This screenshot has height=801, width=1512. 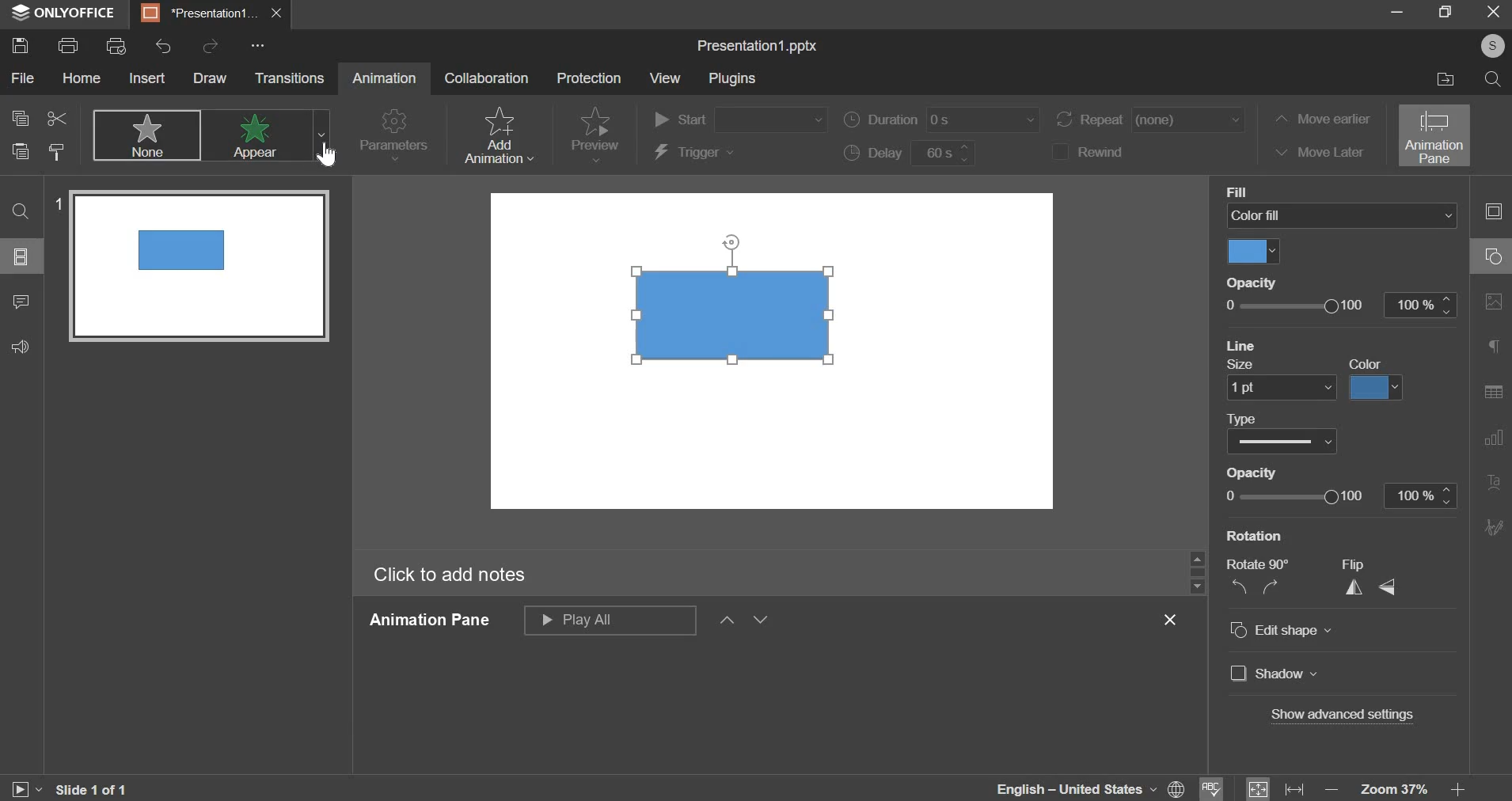 What do you see at coordinates (71, 46) in the screenshot?
I see `print` at bounding box center [71, 46].